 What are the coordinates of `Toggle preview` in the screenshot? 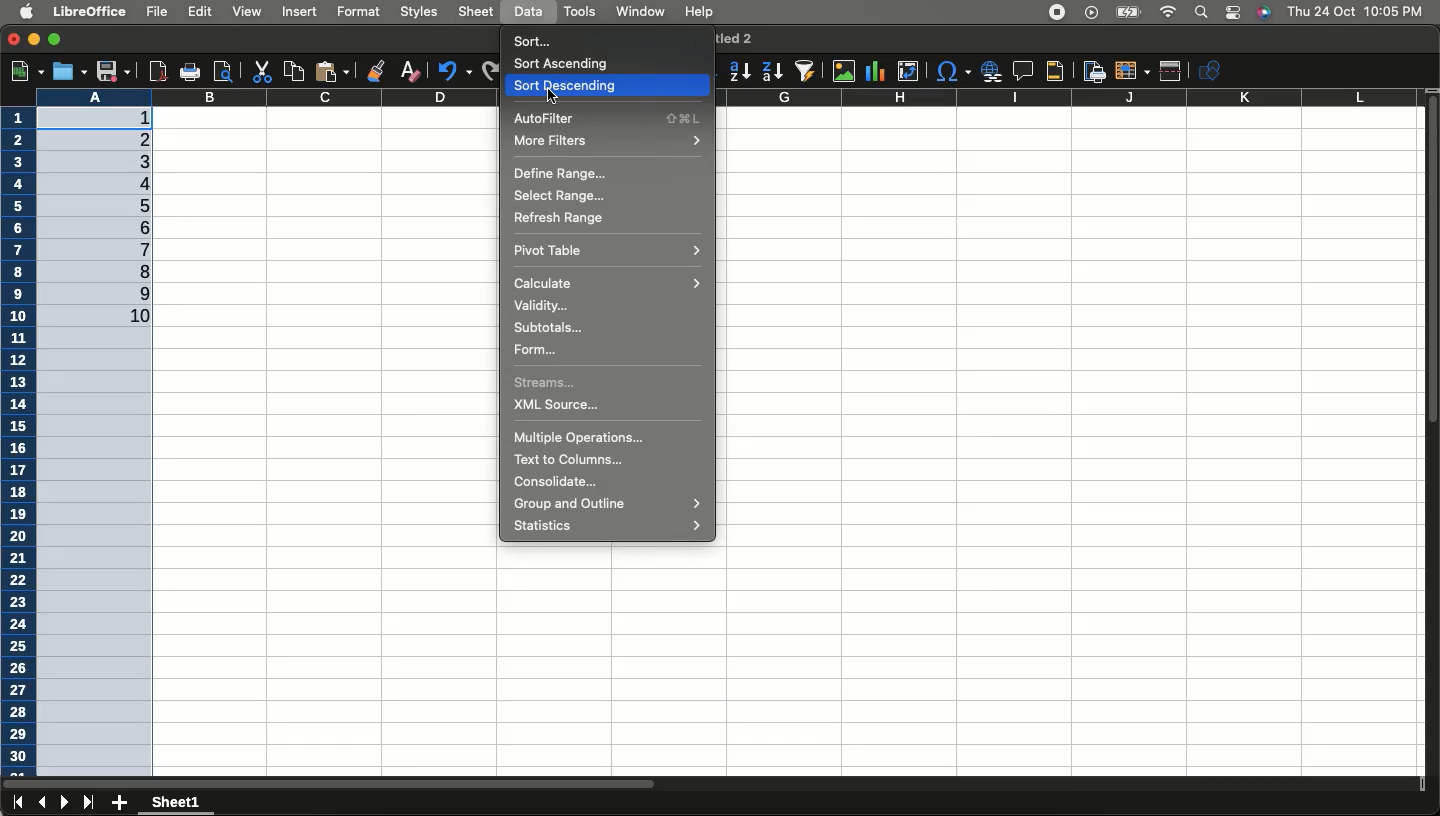 It's located at (222, 71).